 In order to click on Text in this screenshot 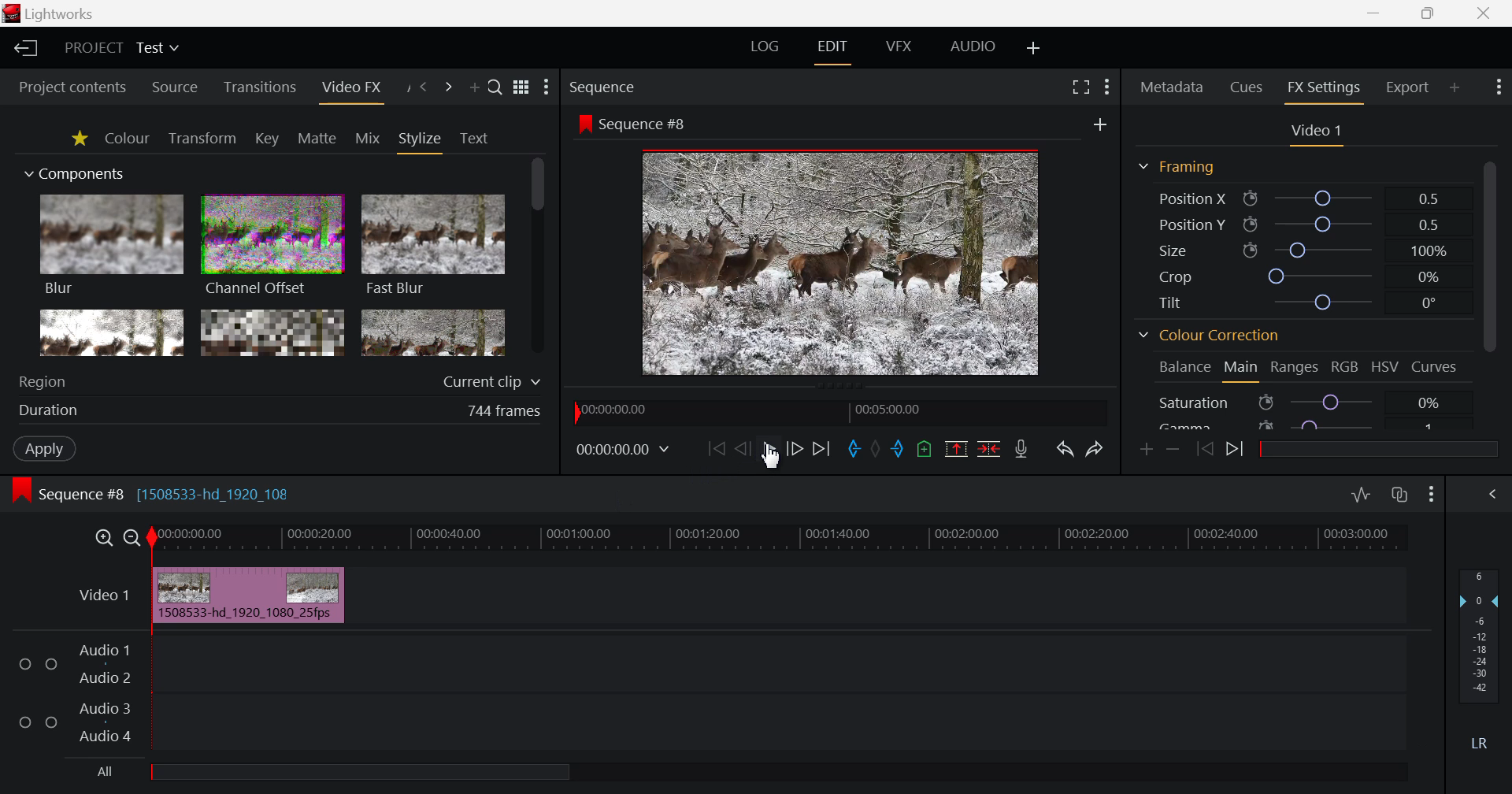, I will do `click(474, 139)`.